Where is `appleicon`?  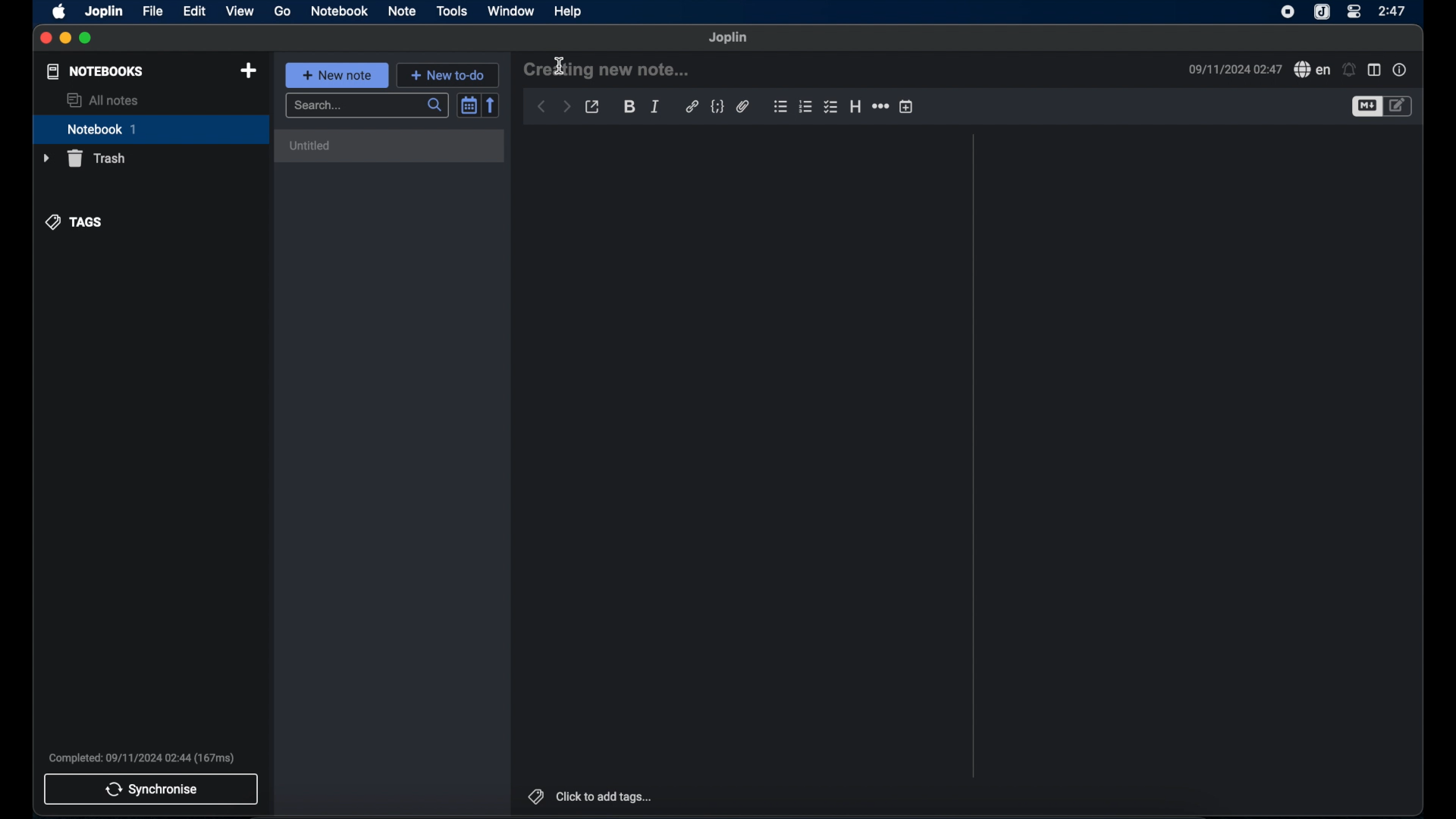
appleicon is located at coordinates (58, 12).